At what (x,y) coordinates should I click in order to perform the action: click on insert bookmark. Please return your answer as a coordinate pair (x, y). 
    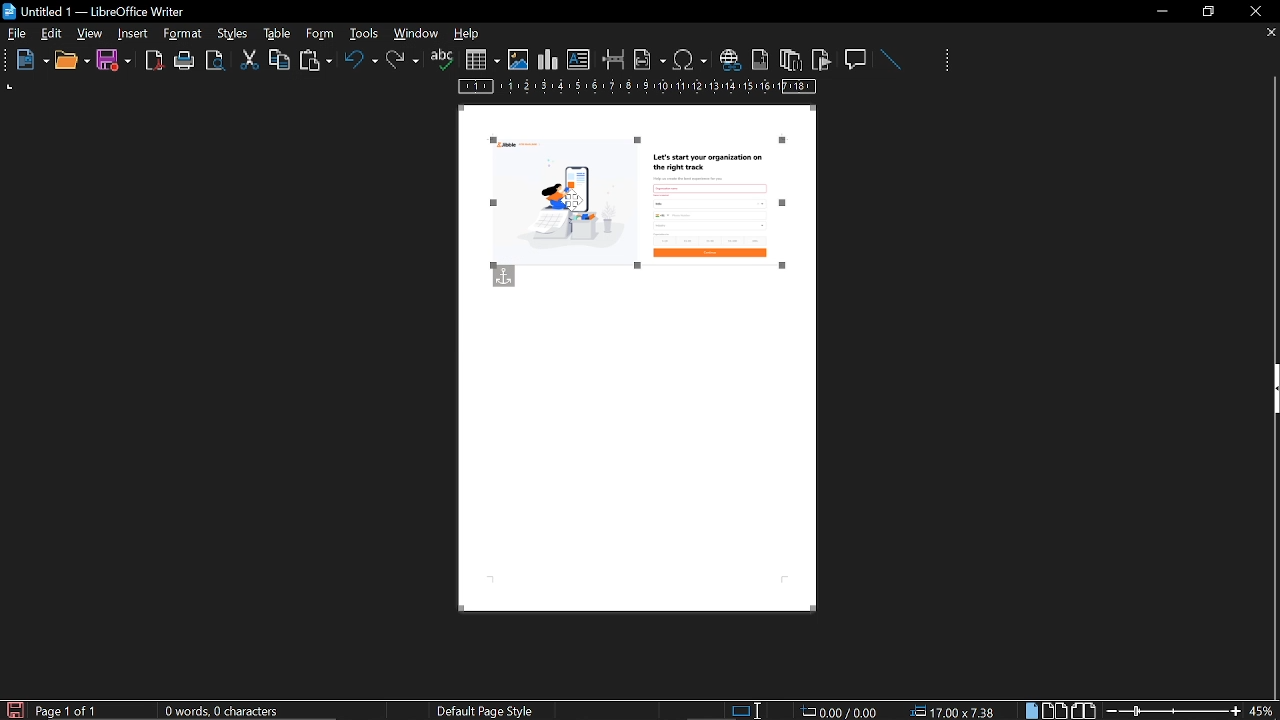
    Looking at the image, I should click on (822, 60).